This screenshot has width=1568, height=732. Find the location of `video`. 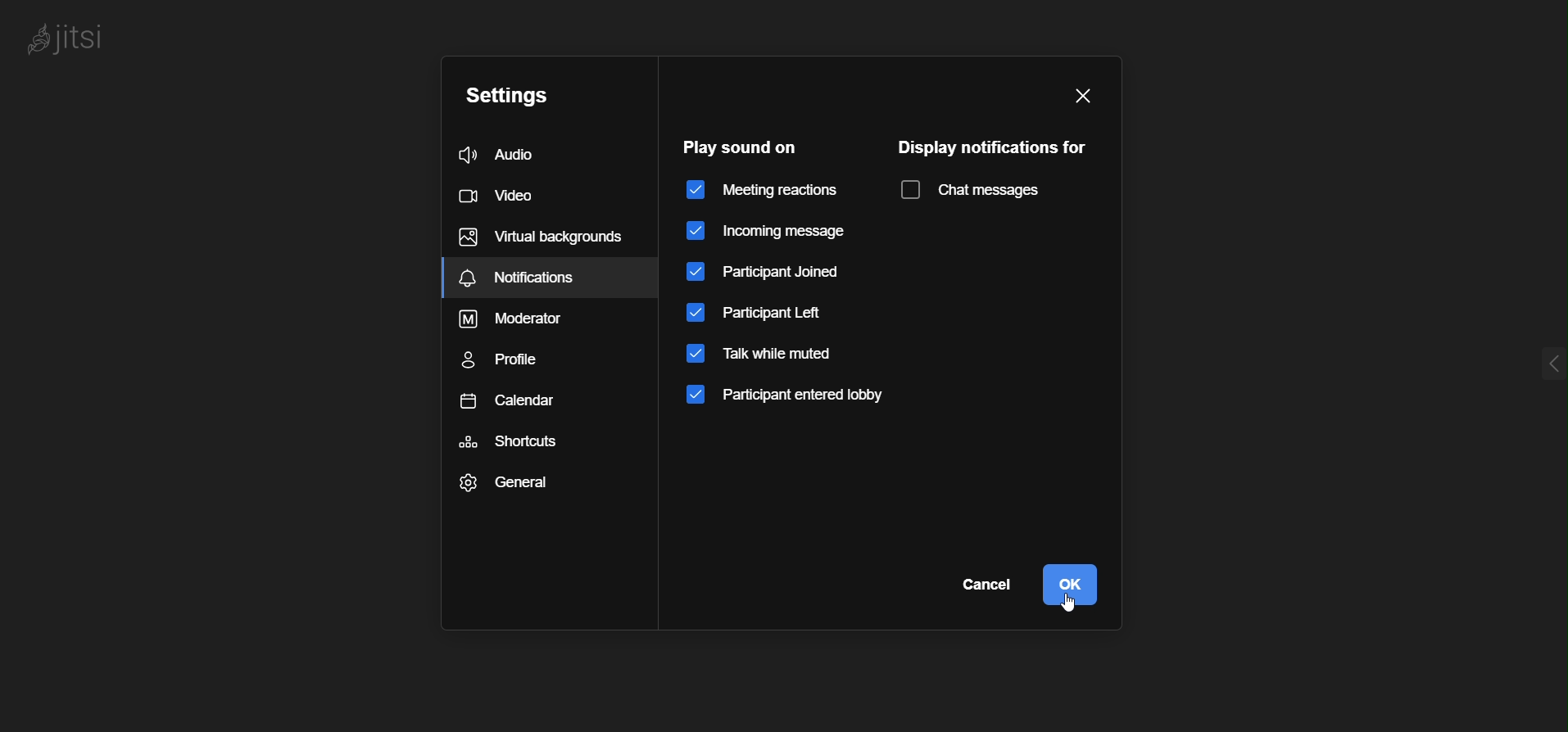

video is located at coordinates (501, 193).